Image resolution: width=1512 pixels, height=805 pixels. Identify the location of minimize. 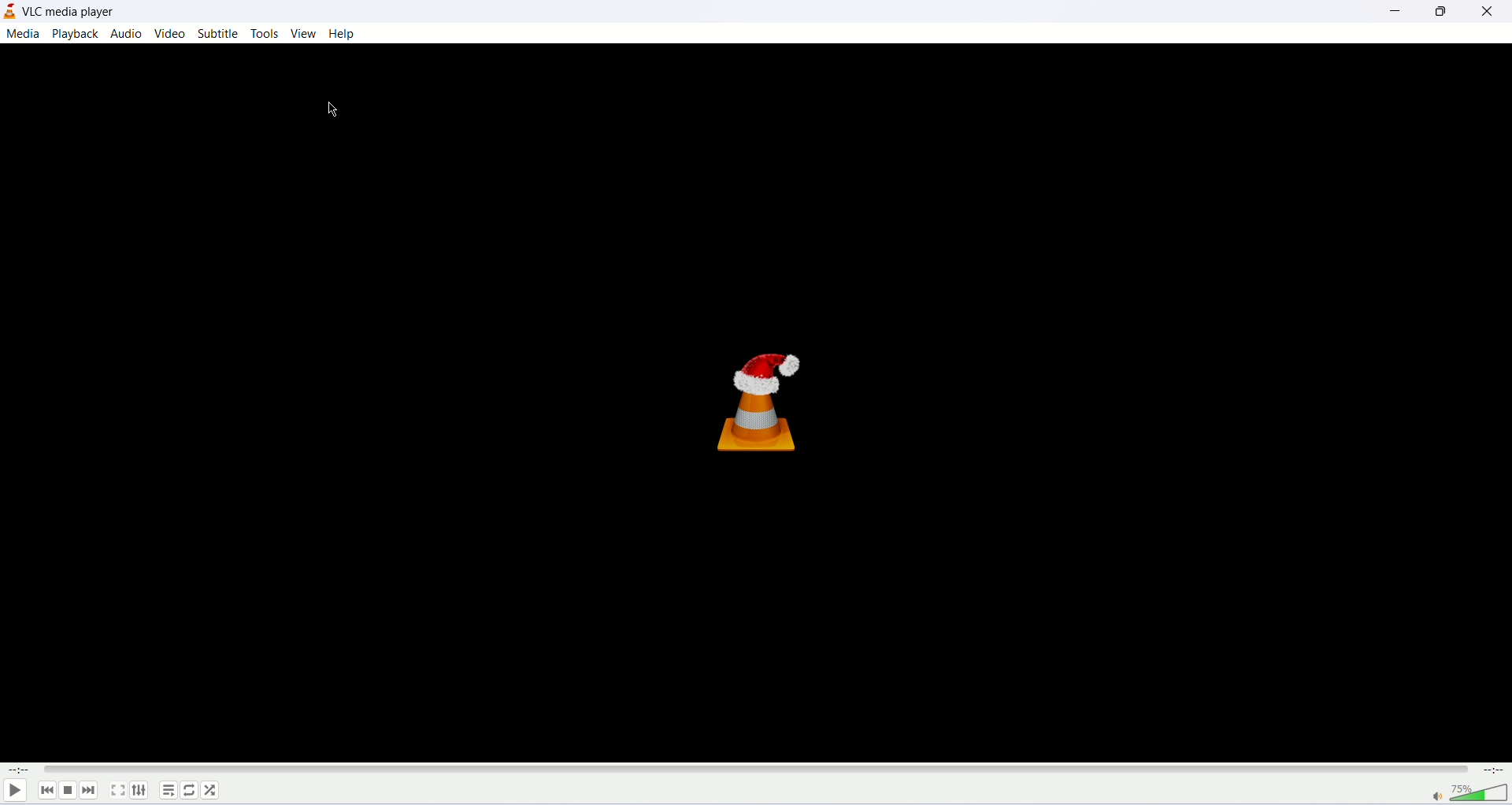
(1392, 11).